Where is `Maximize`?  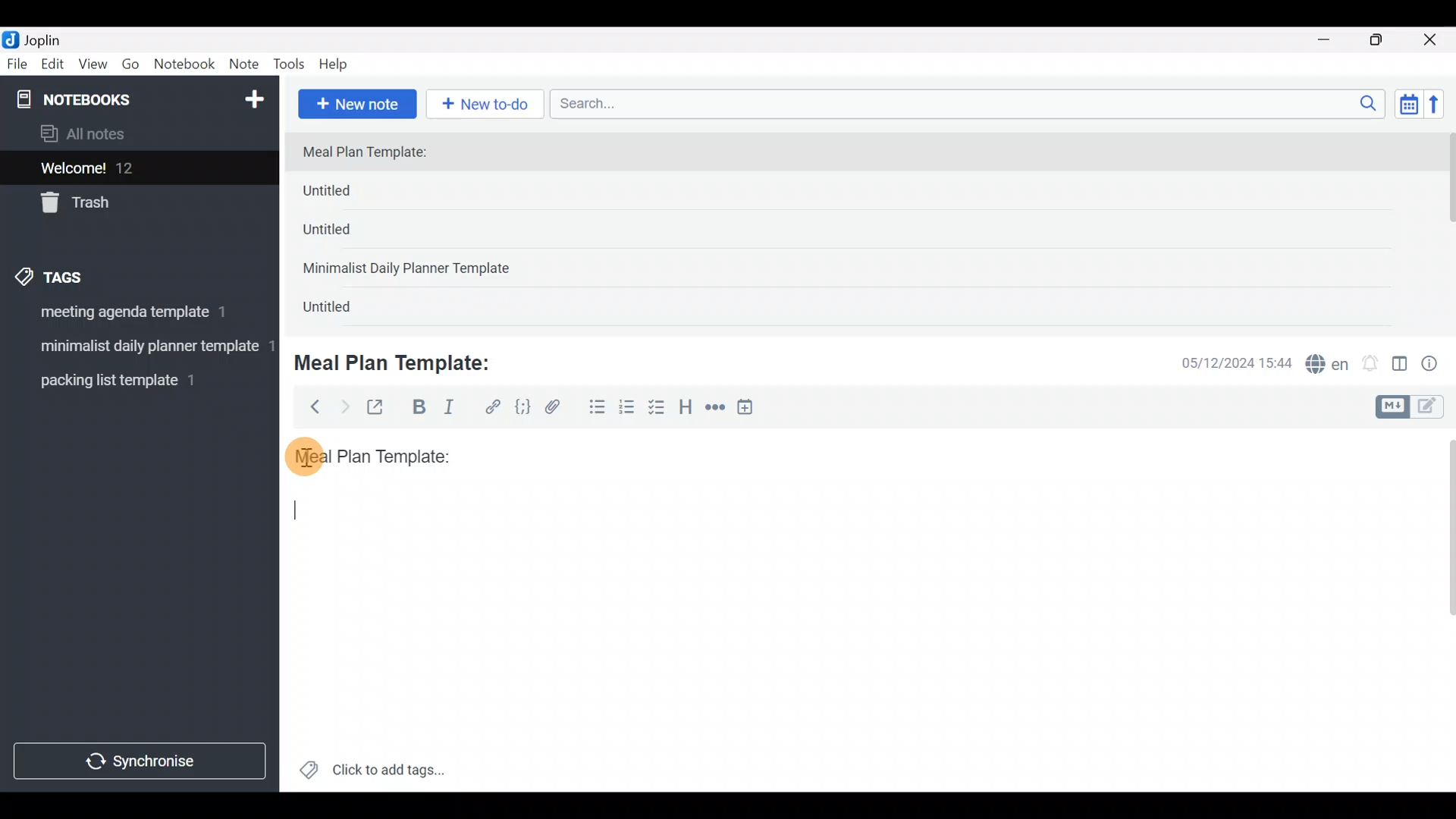
Maximize is located at coordinates (1385, 40).